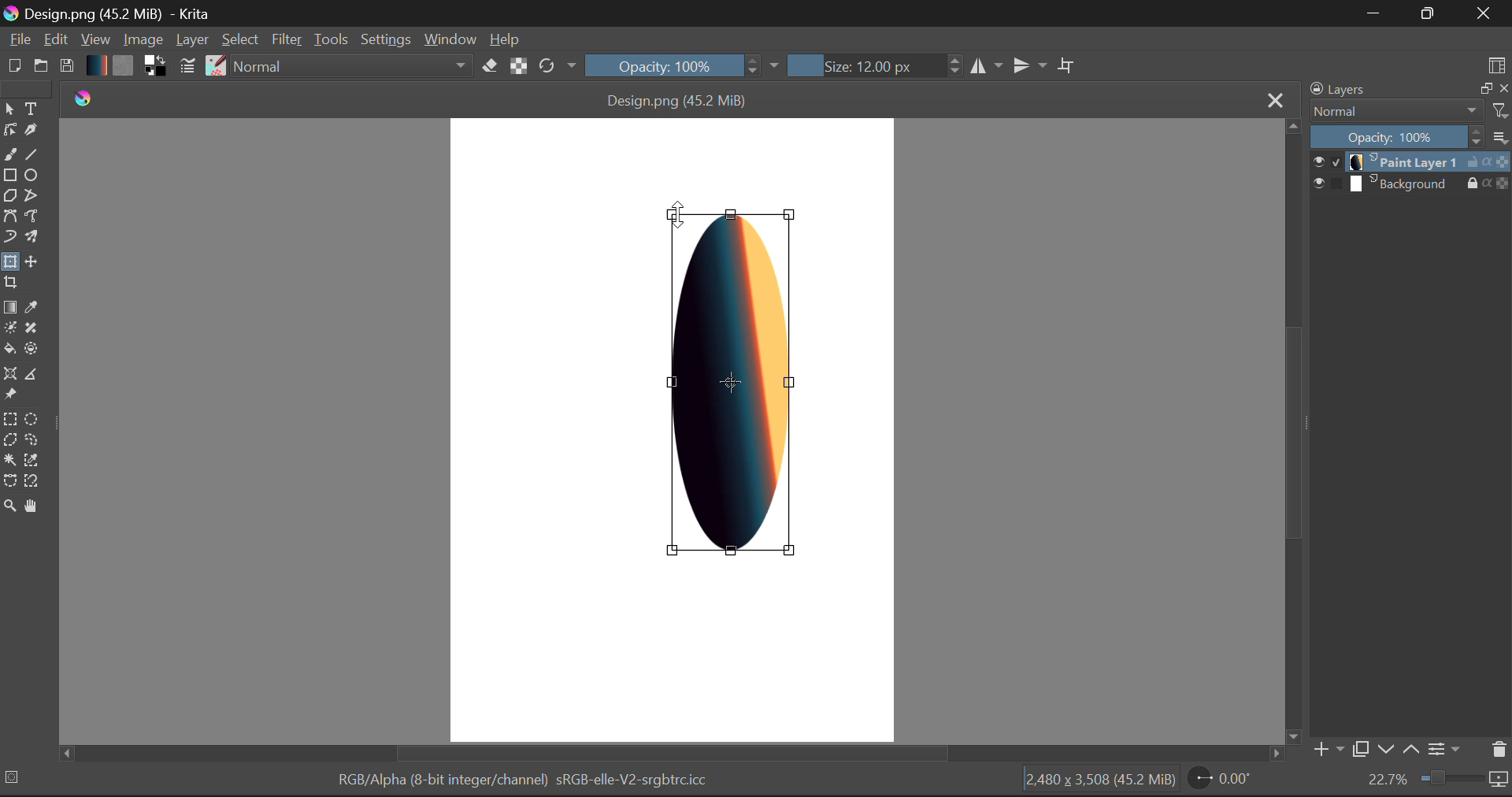 The width and height of the screenshot is (1512, 797). What do you see at coordinates (519, 65) in the screenshot?
I see `Lock Alpha` at bounding box center [519, 65].